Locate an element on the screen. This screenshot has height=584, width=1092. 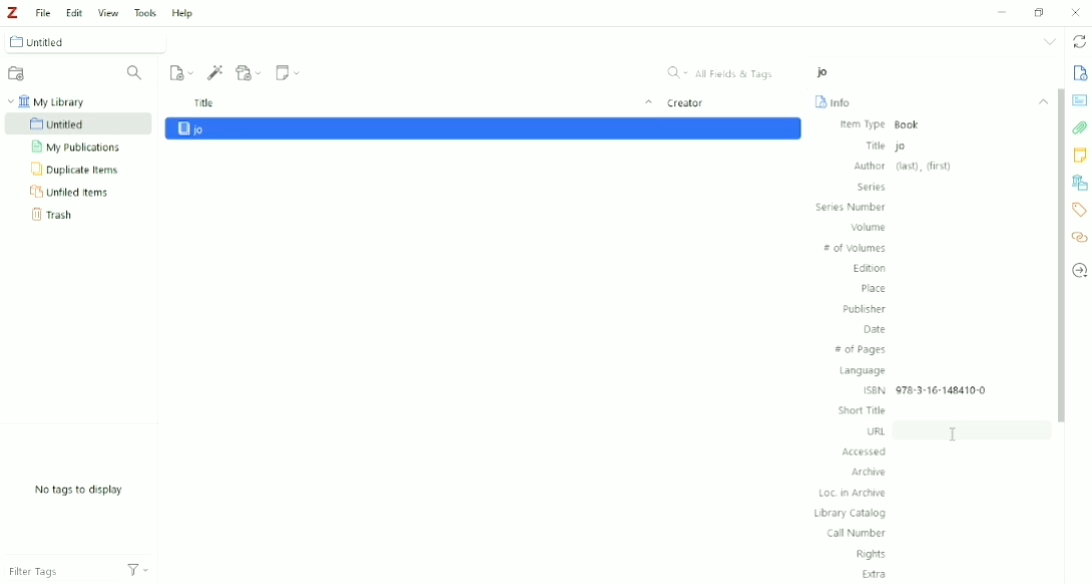
Attachments is located at coordinates (1080, 130).